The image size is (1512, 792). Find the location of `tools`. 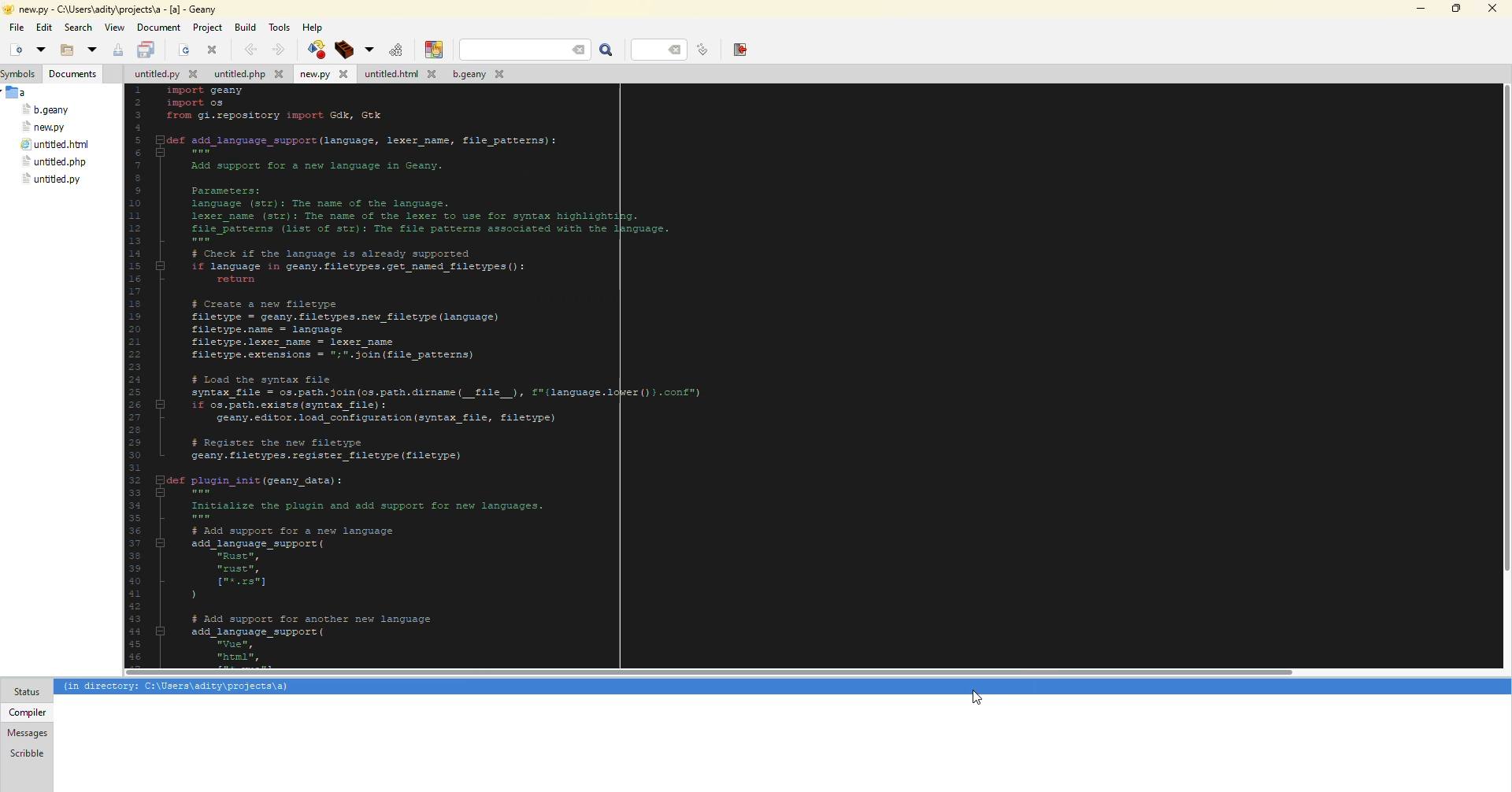

tools is located at coordinates (282, 26).